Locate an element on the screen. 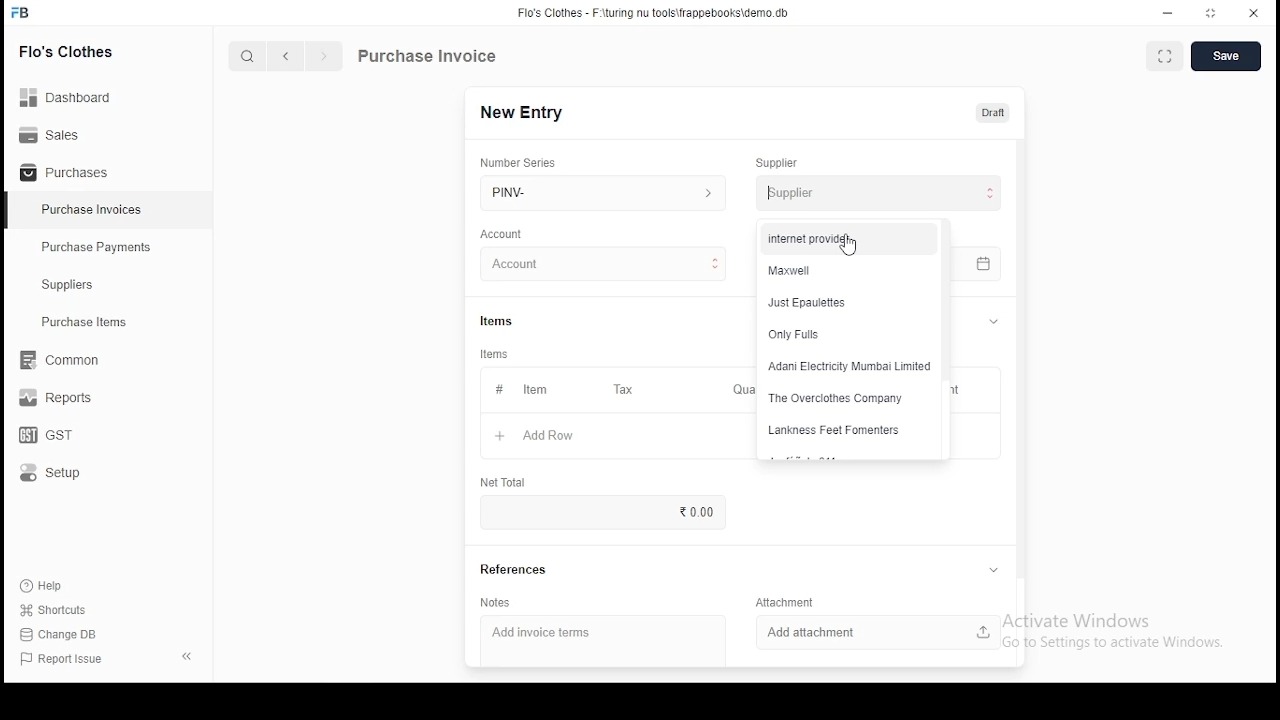  draft is located at coordinates (993, 112).